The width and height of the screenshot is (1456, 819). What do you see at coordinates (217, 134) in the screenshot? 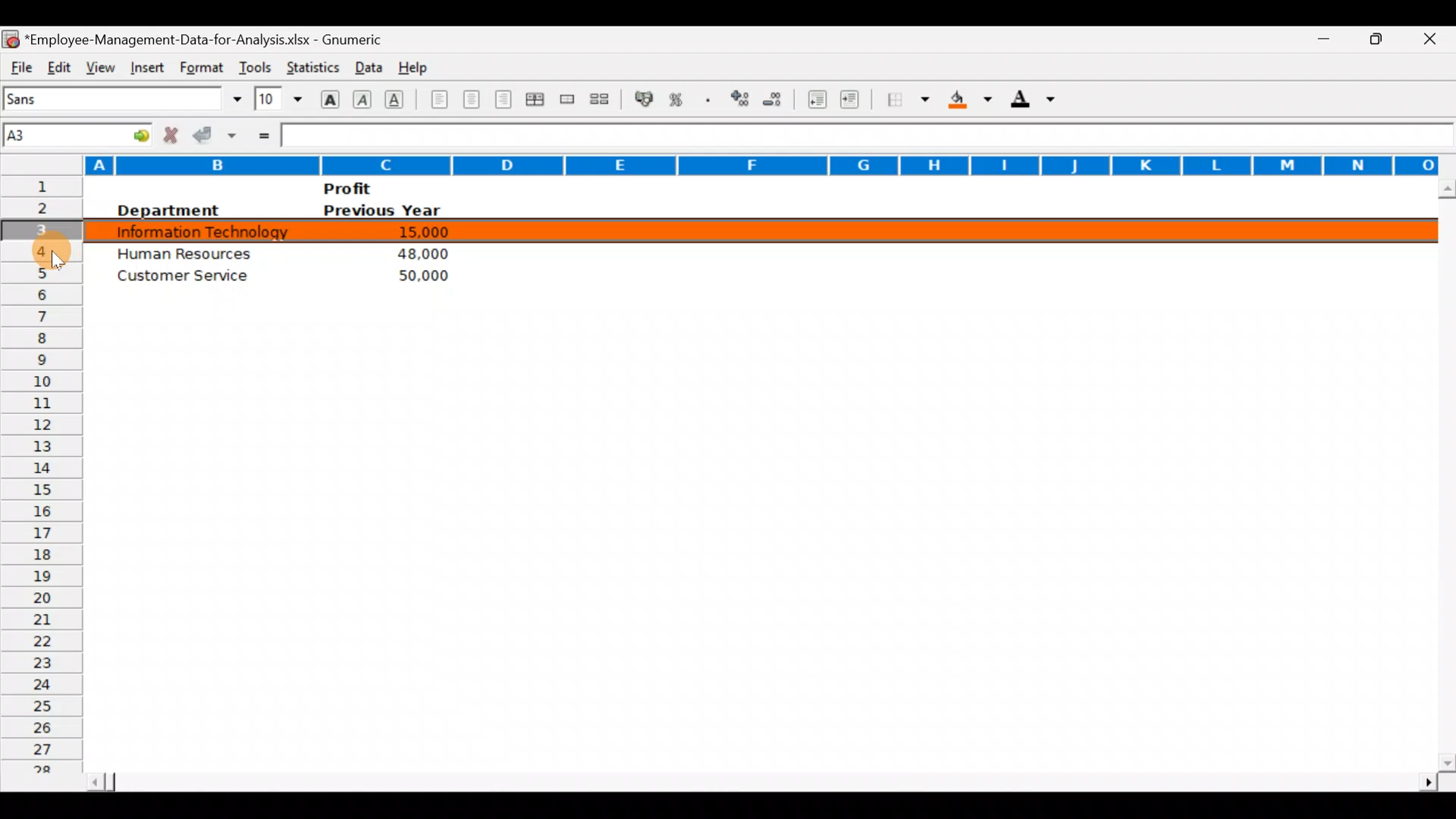
I see `Accept change` at bounding box center [217, 134].